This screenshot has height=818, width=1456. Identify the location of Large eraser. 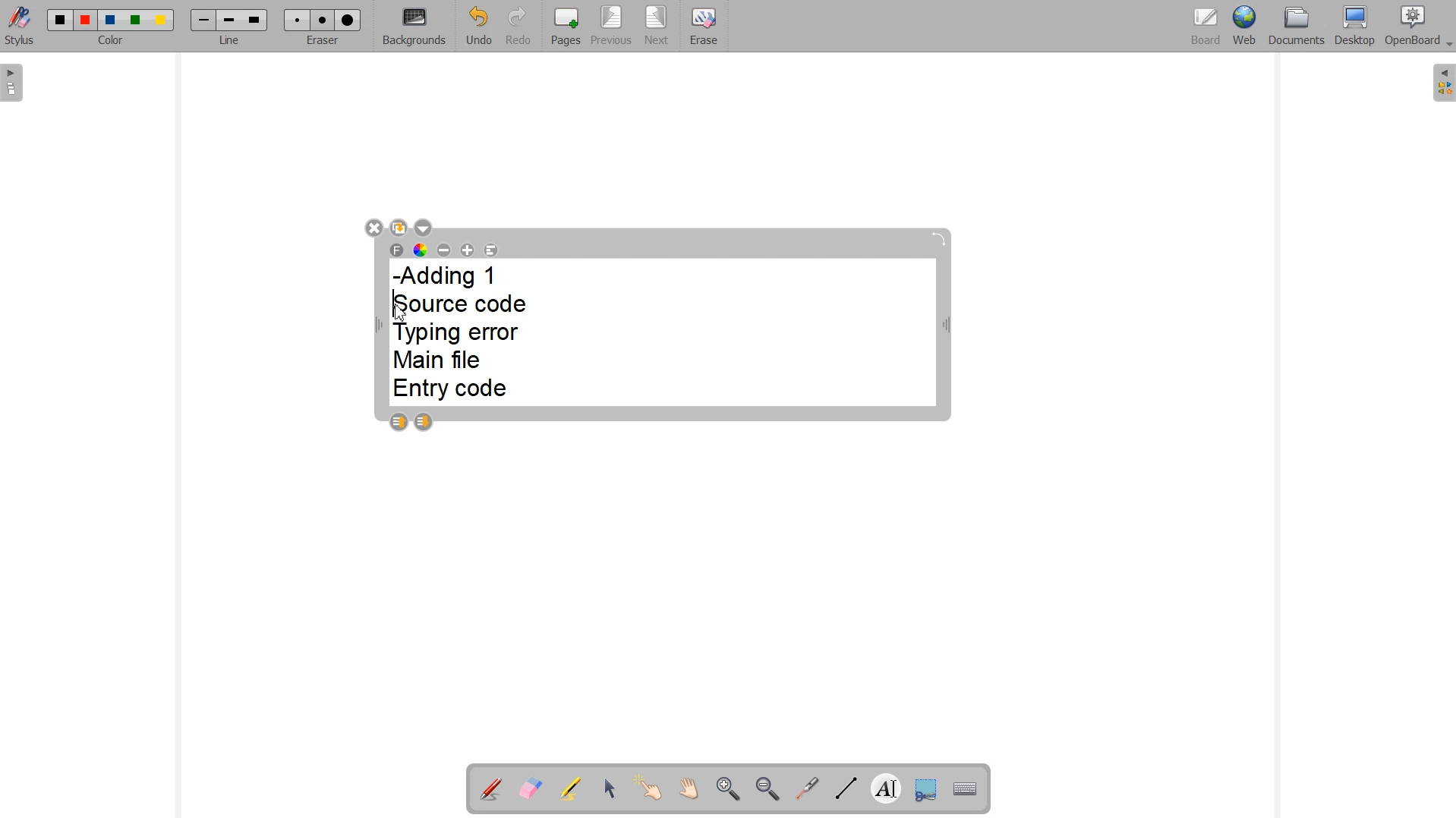
(348, 20).